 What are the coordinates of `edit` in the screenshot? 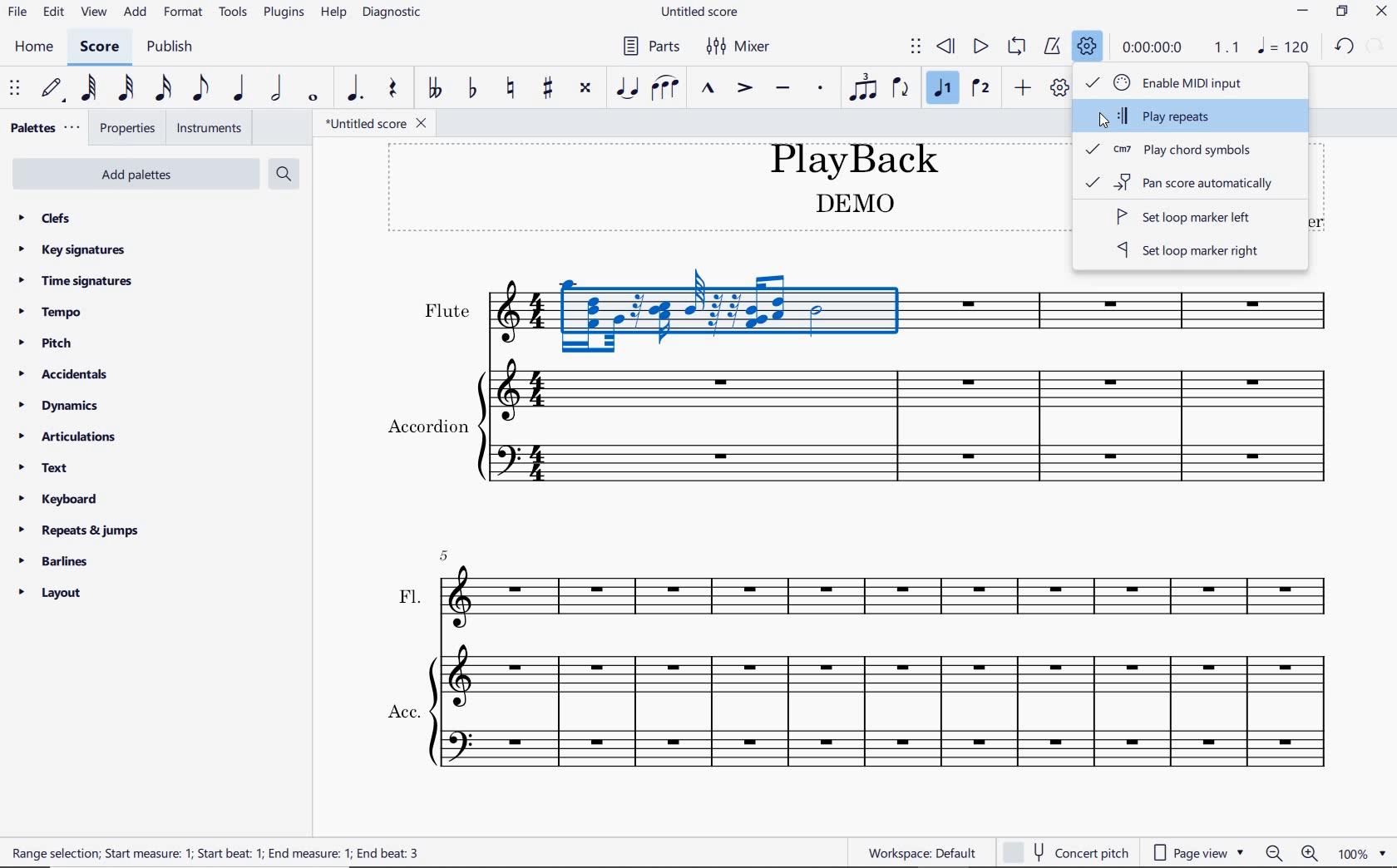 It's located at (53, 13).